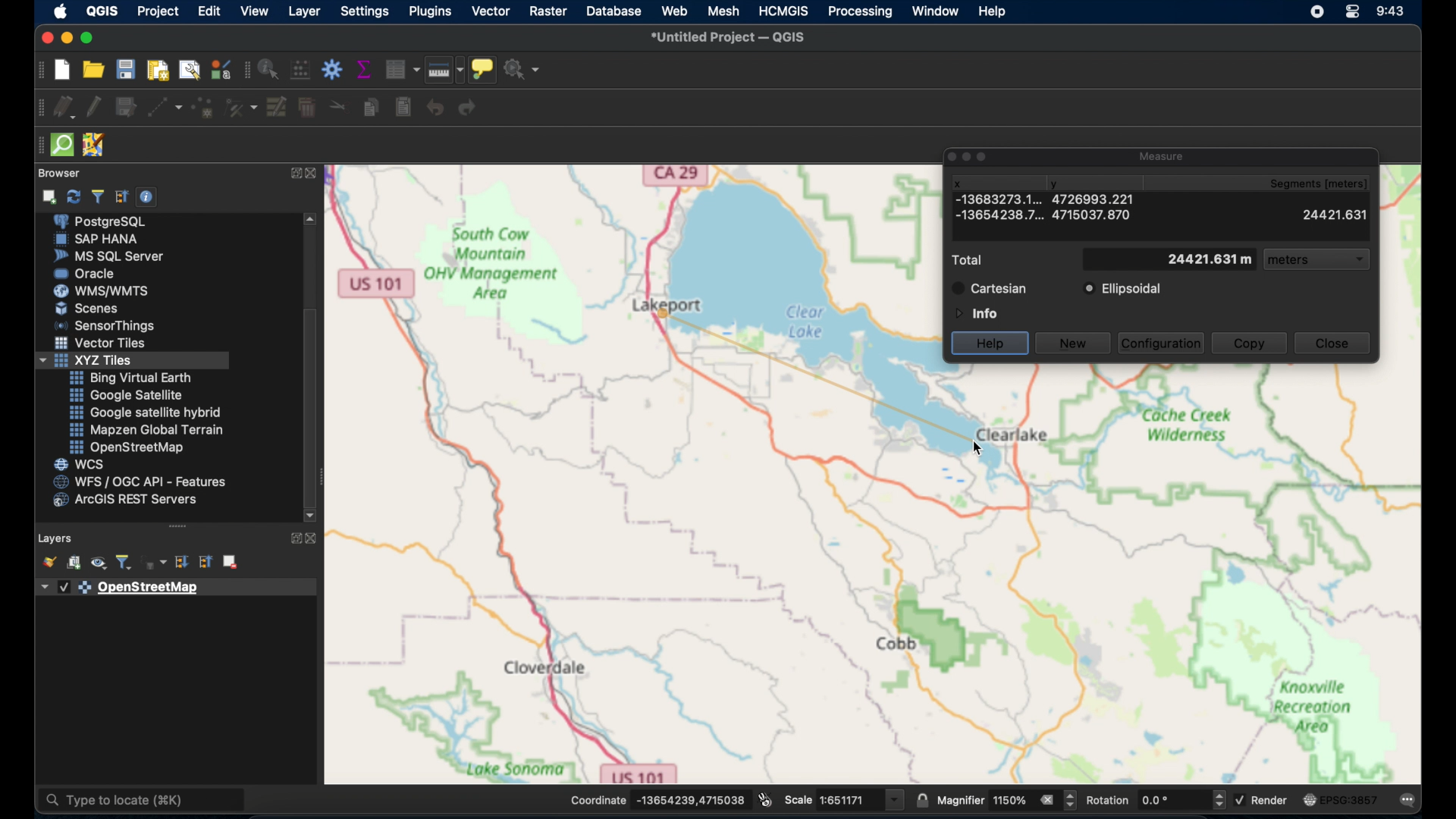 Image resolution: width=1456 pixels, height=819 pixels. What do you see at coordinates (402, 69) in the screenshot?
I see `show attributes table` at bounding box center [402, 69].